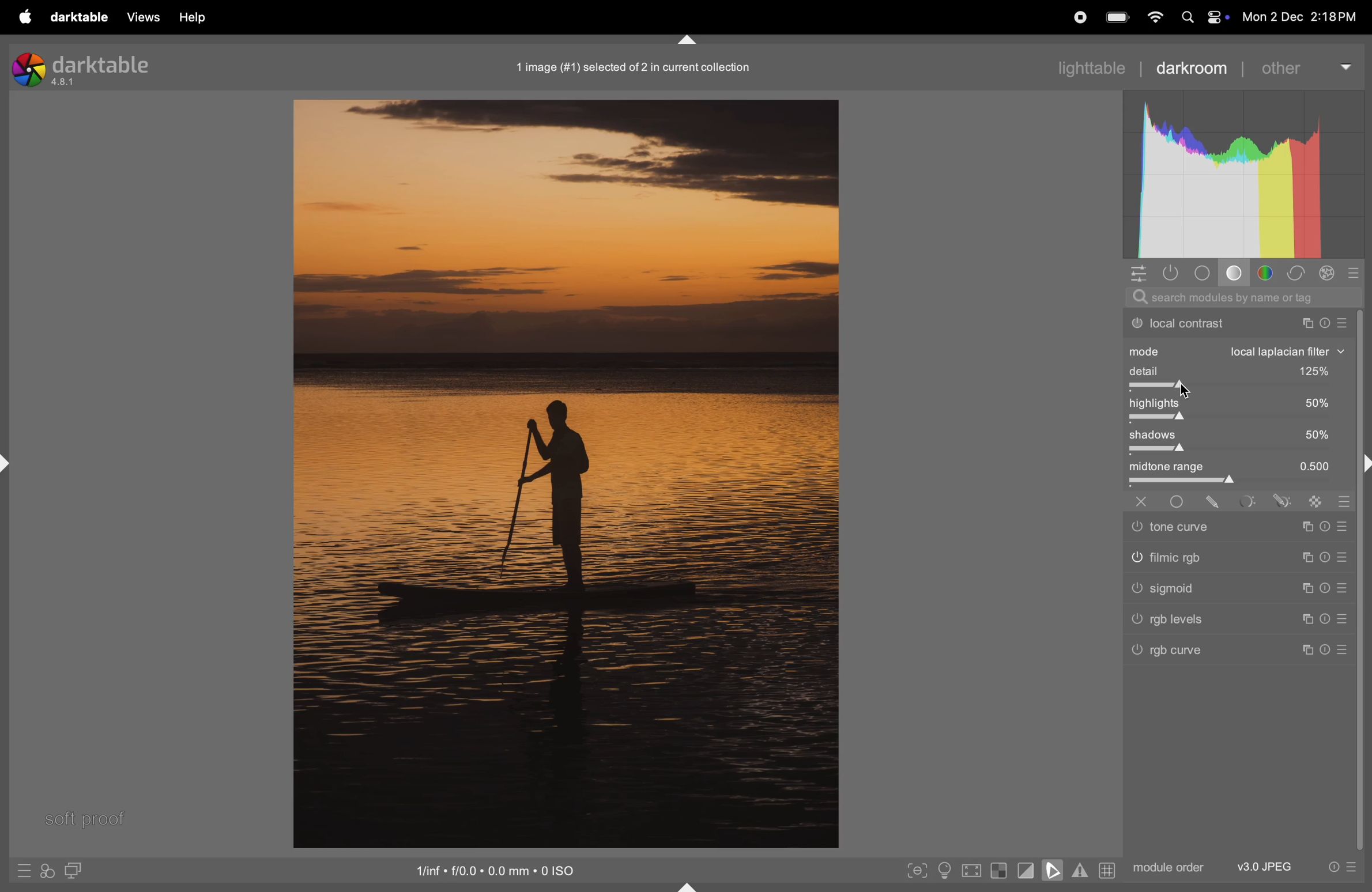  Describe the element at coordinates (1203, 272) in the screenshot. I see `base` at that location.